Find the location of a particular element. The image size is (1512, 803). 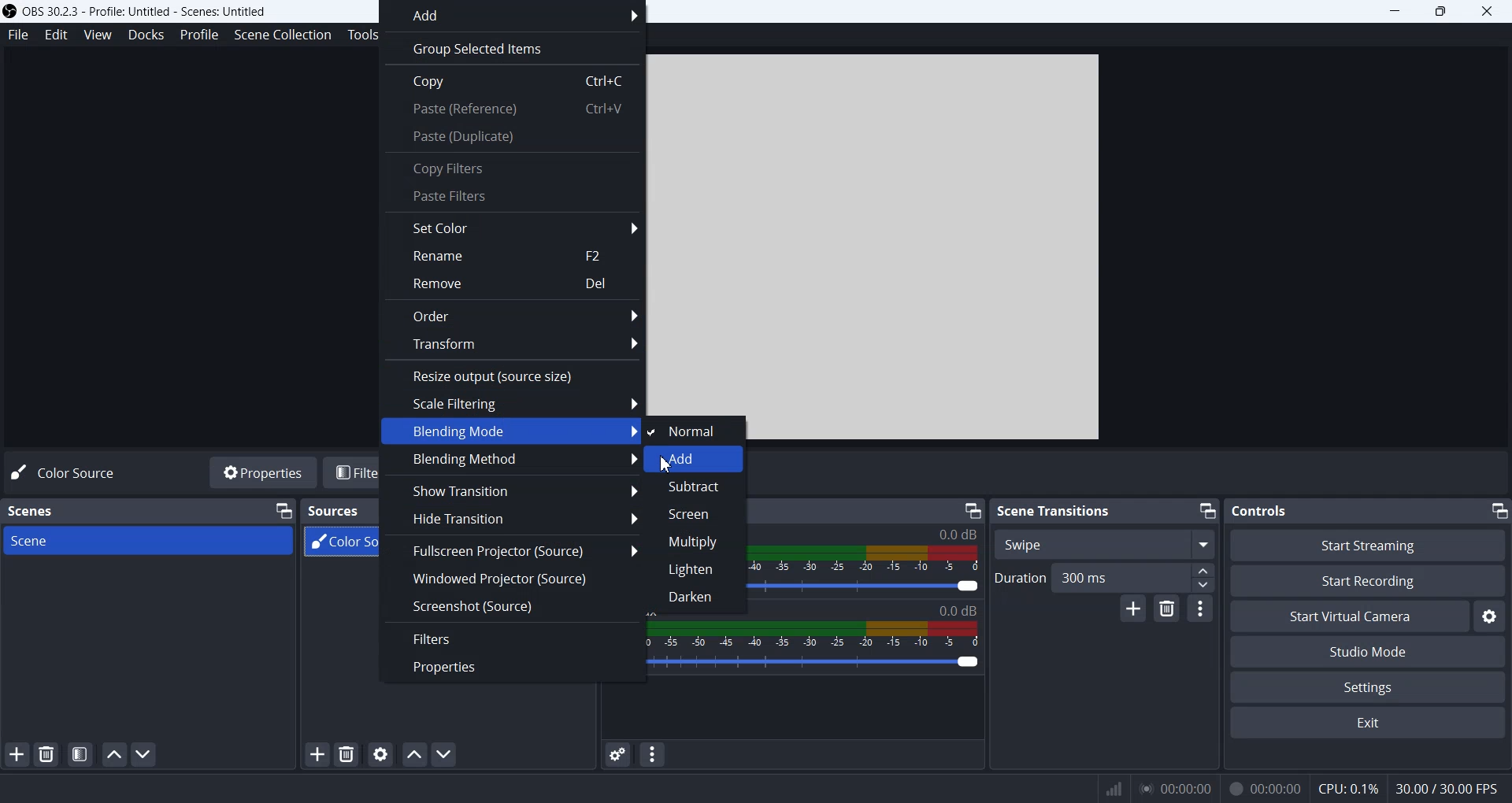

Profile is located at coordinates (198, 34).